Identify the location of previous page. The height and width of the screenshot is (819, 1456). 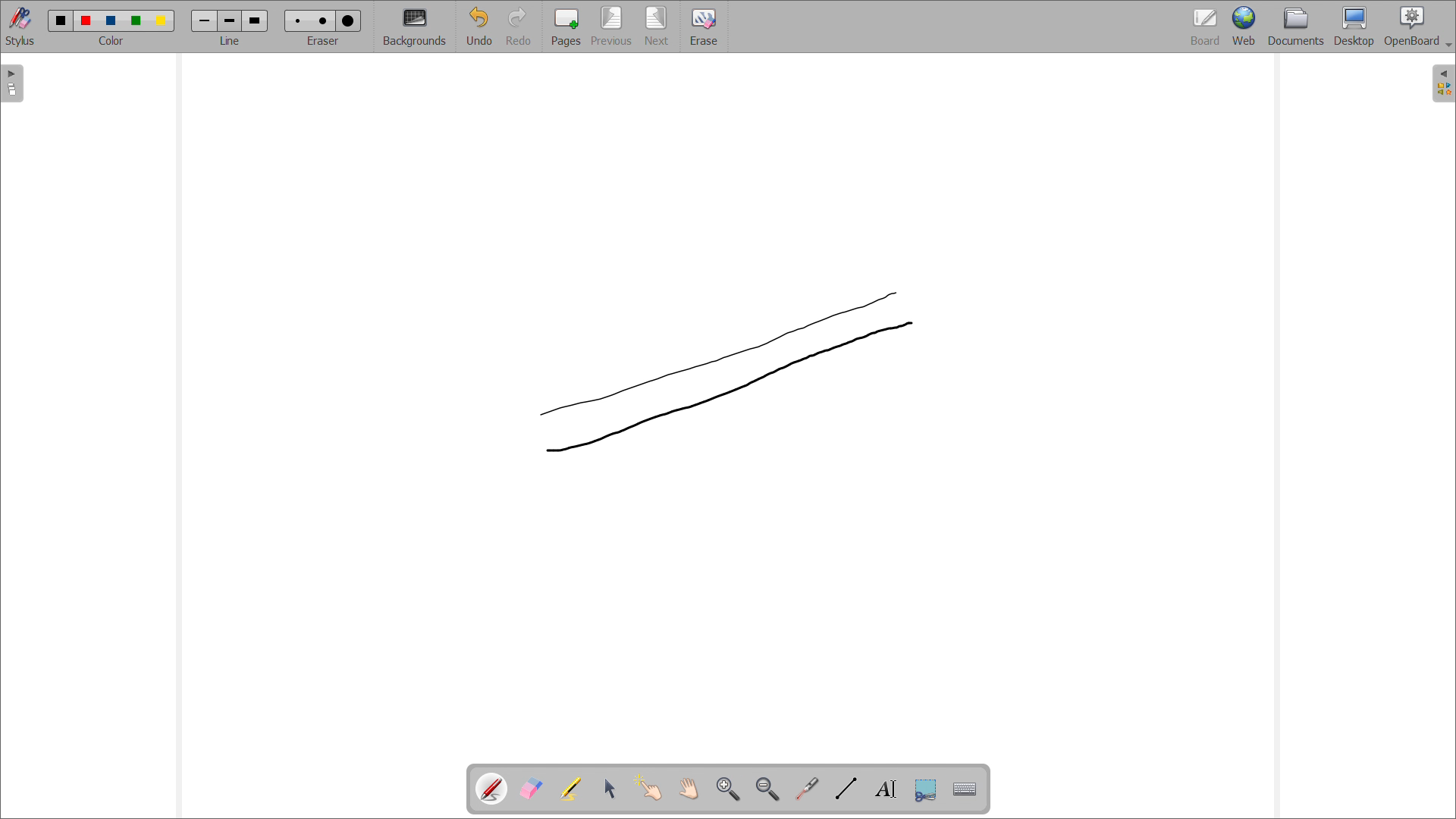
(612, 26).